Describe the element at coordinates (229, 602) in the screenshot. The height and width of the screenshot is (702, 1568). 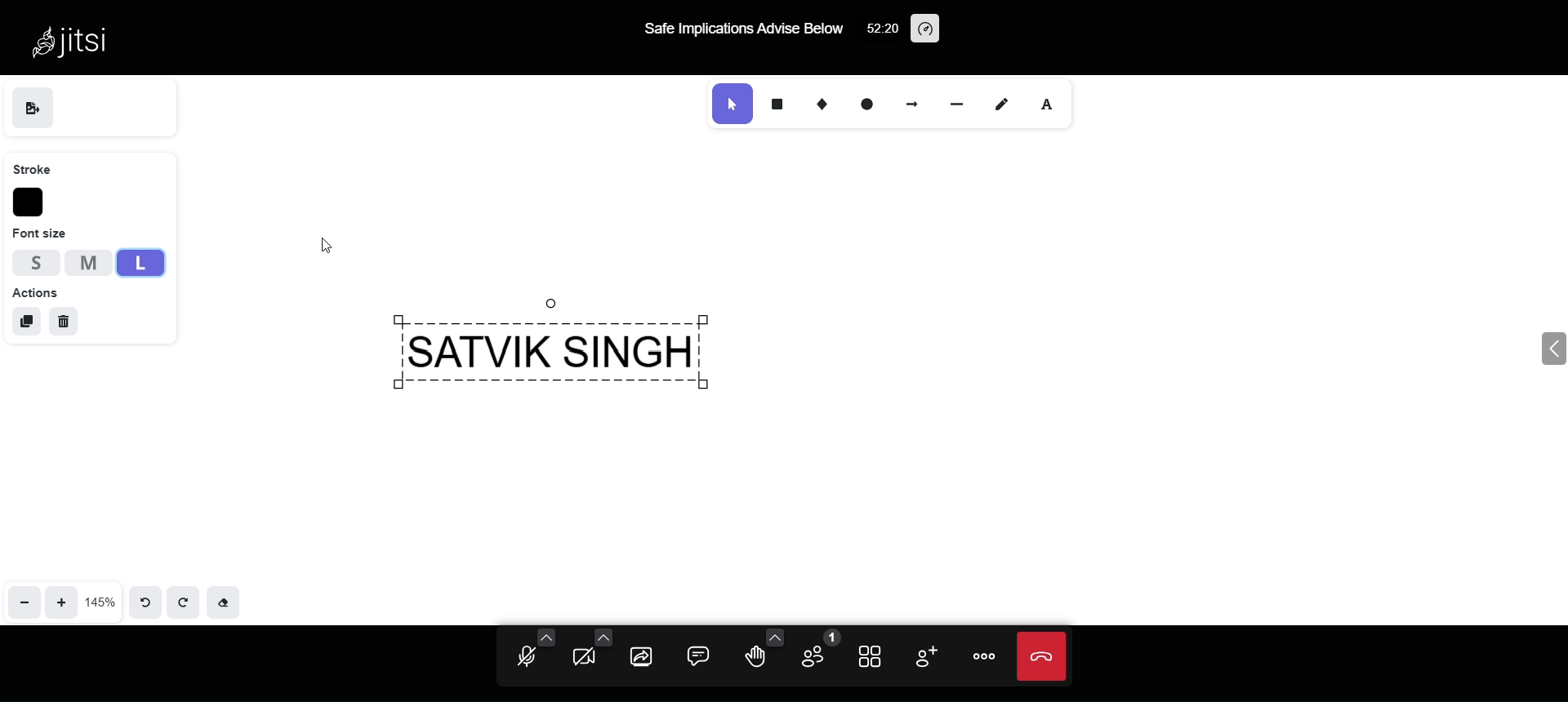
I see `eraser` at that location.